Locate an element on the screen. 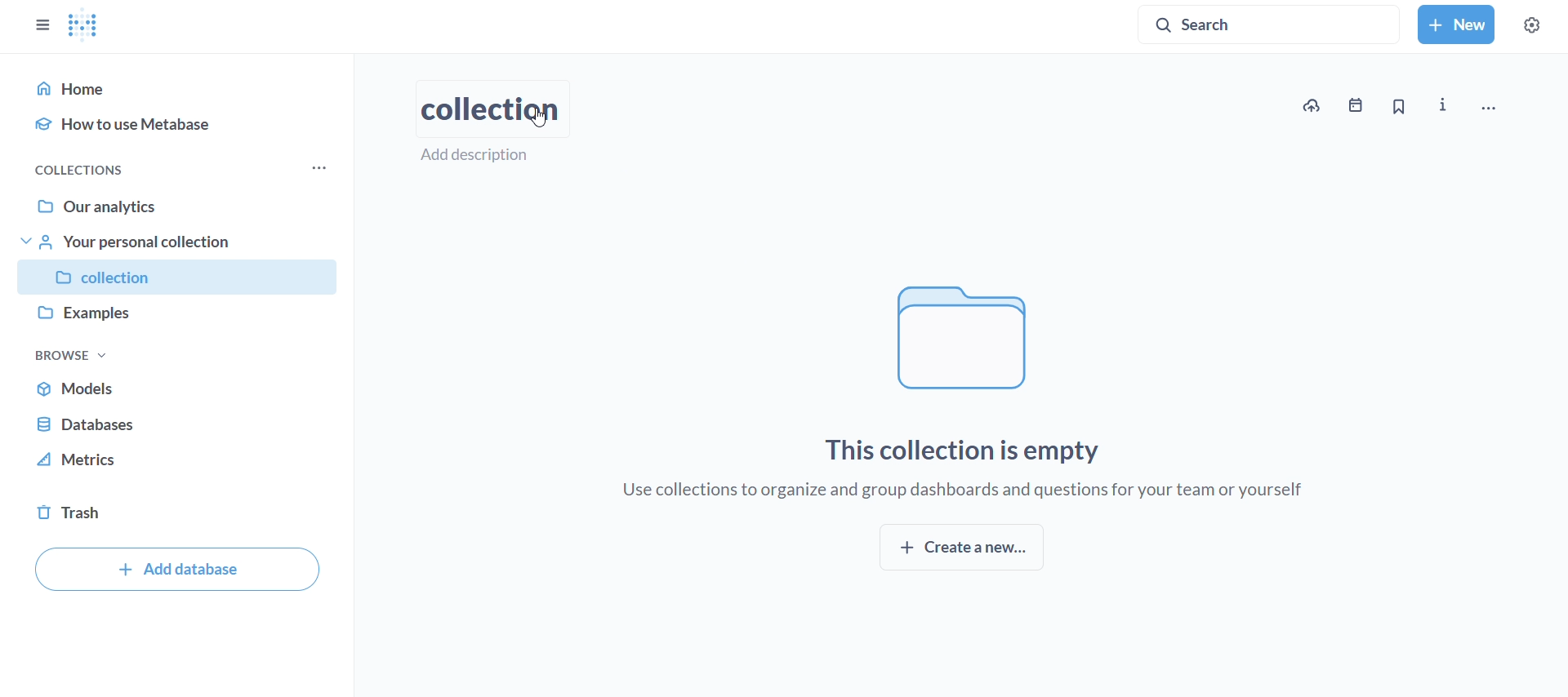 The image size is (1568, 697). cursor is located at coordinates (541, 122).